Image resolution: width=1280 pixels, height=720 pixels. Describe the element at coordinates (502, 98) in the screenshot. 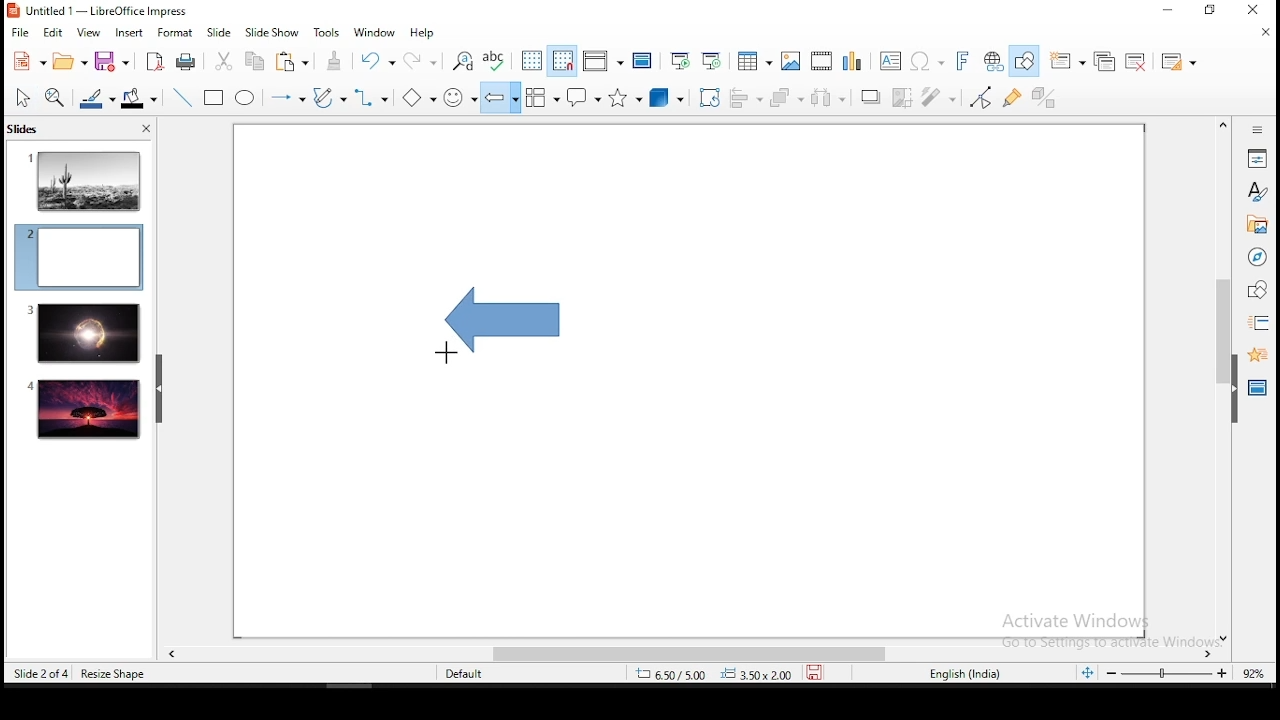

I see `block arrows` at that location.